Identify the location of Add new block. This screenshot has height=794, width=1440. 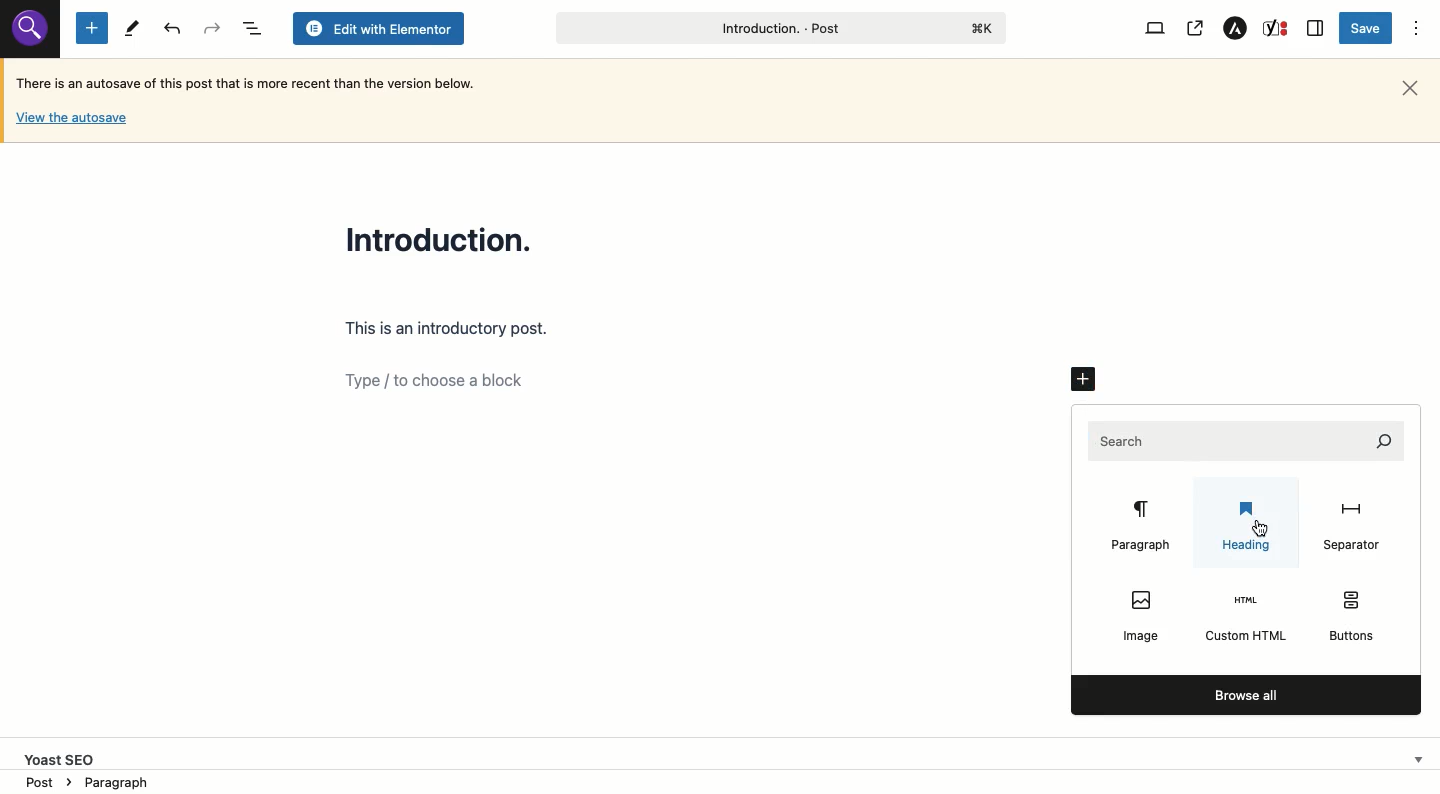
(1085, 381).